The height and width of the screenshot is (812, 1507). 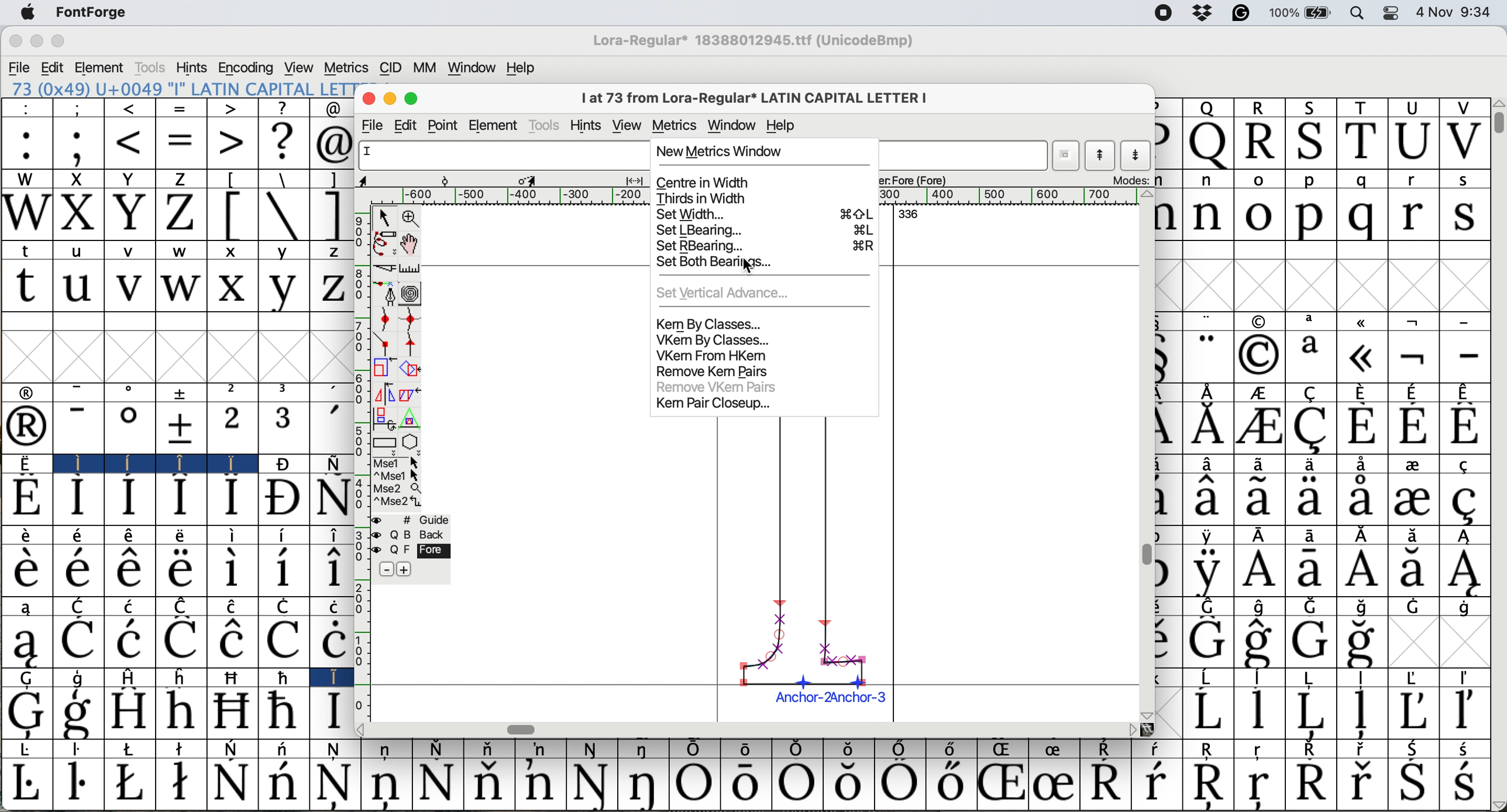 I want to click on maximize, so click(x=59, y=41).